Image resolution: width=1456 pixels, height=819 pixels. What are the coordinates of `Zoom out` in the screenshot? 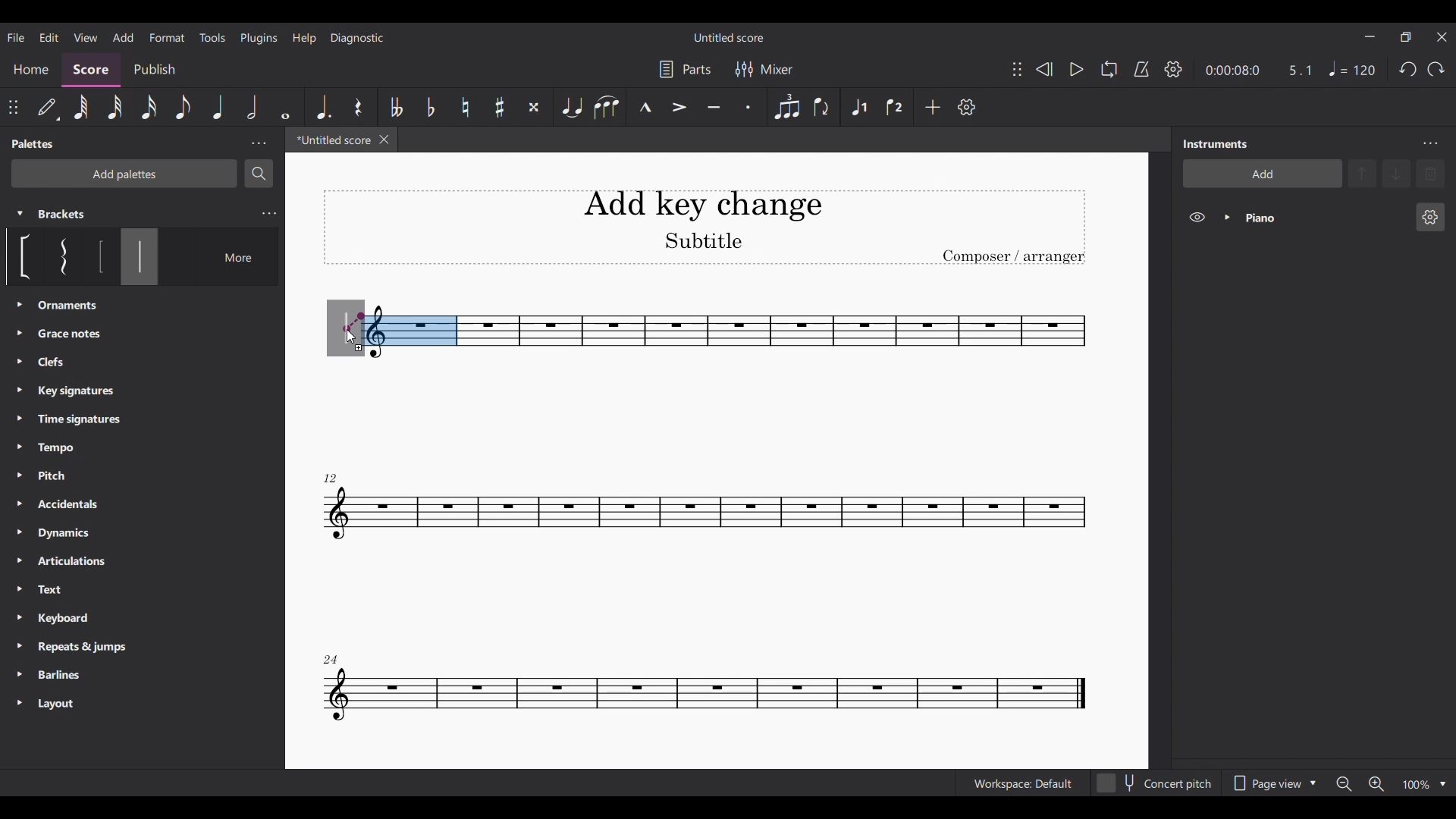 It's located at (1342, 784).